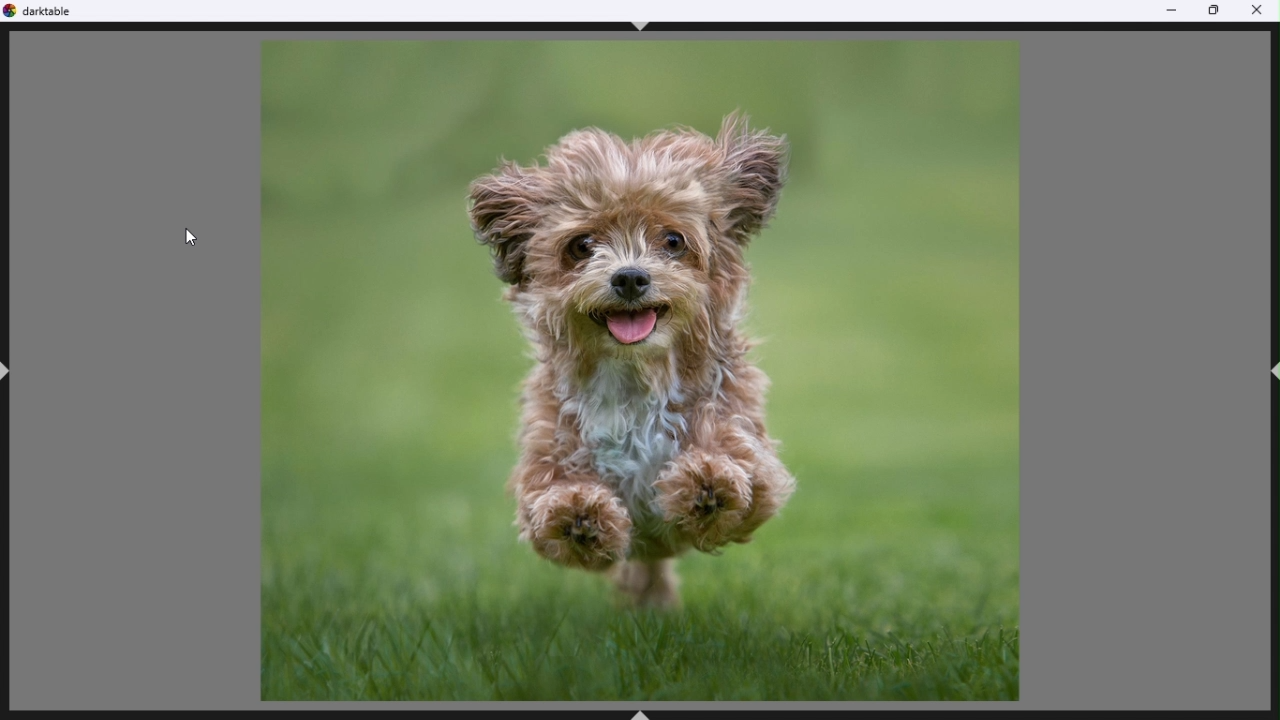 The width and height of the screenshot is (1280, 720). I want to click on ctrl+shift+t, so click(646, 30).